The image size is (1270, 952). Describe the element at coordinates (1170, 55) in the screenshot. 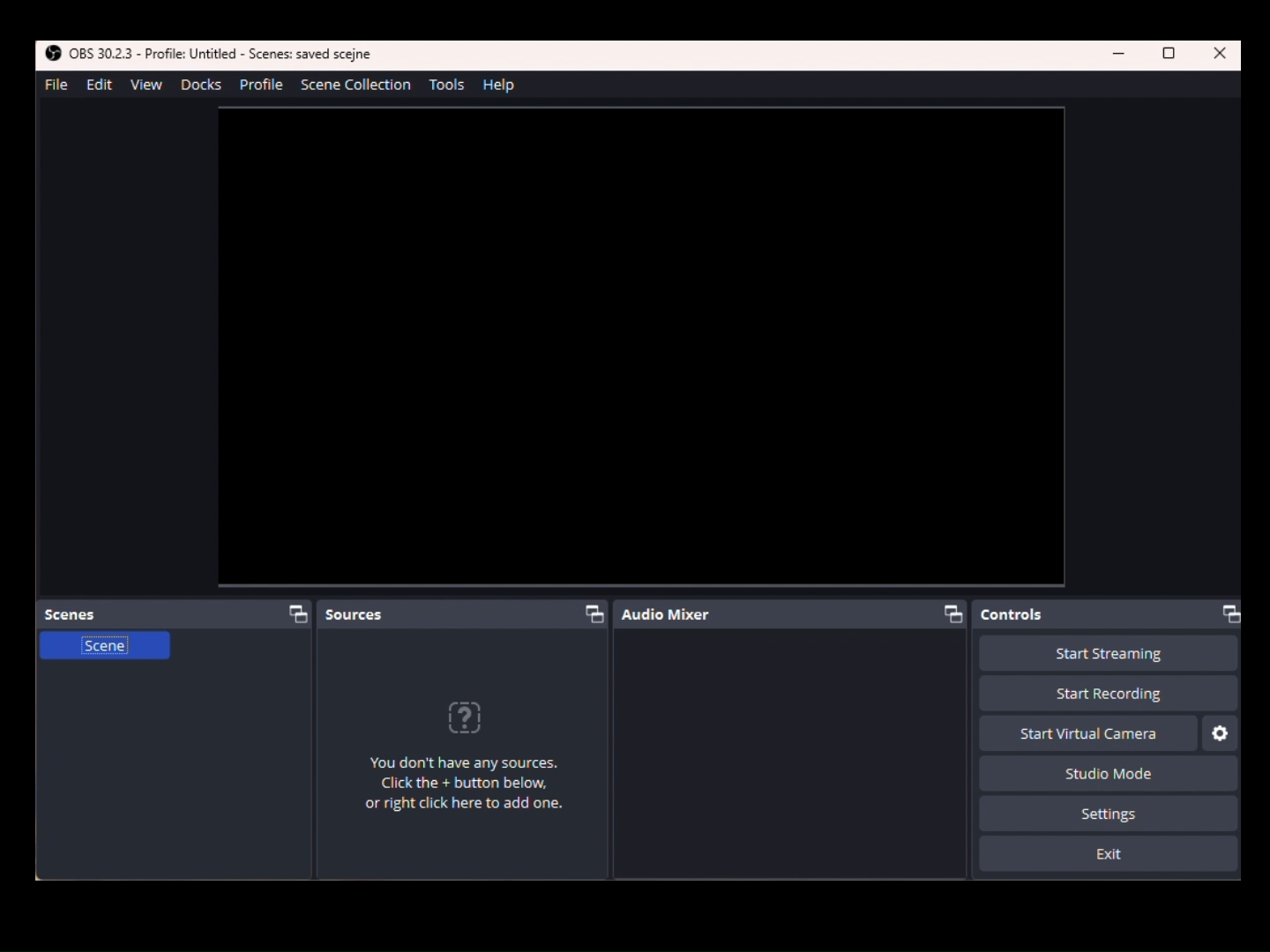

I see `Box` at that location.